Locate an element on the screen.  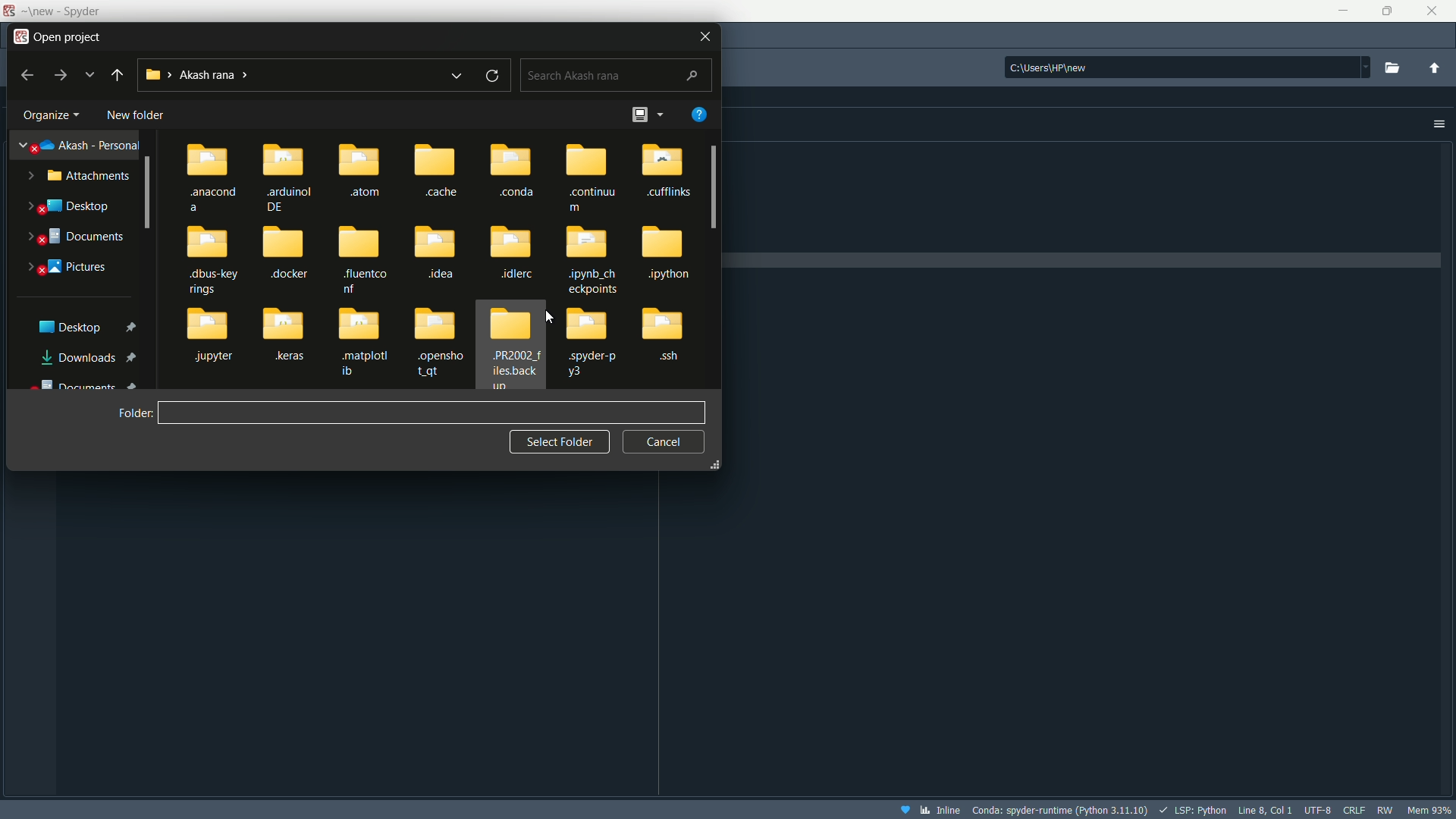
cursor position is located at coordinates (1263, 808).